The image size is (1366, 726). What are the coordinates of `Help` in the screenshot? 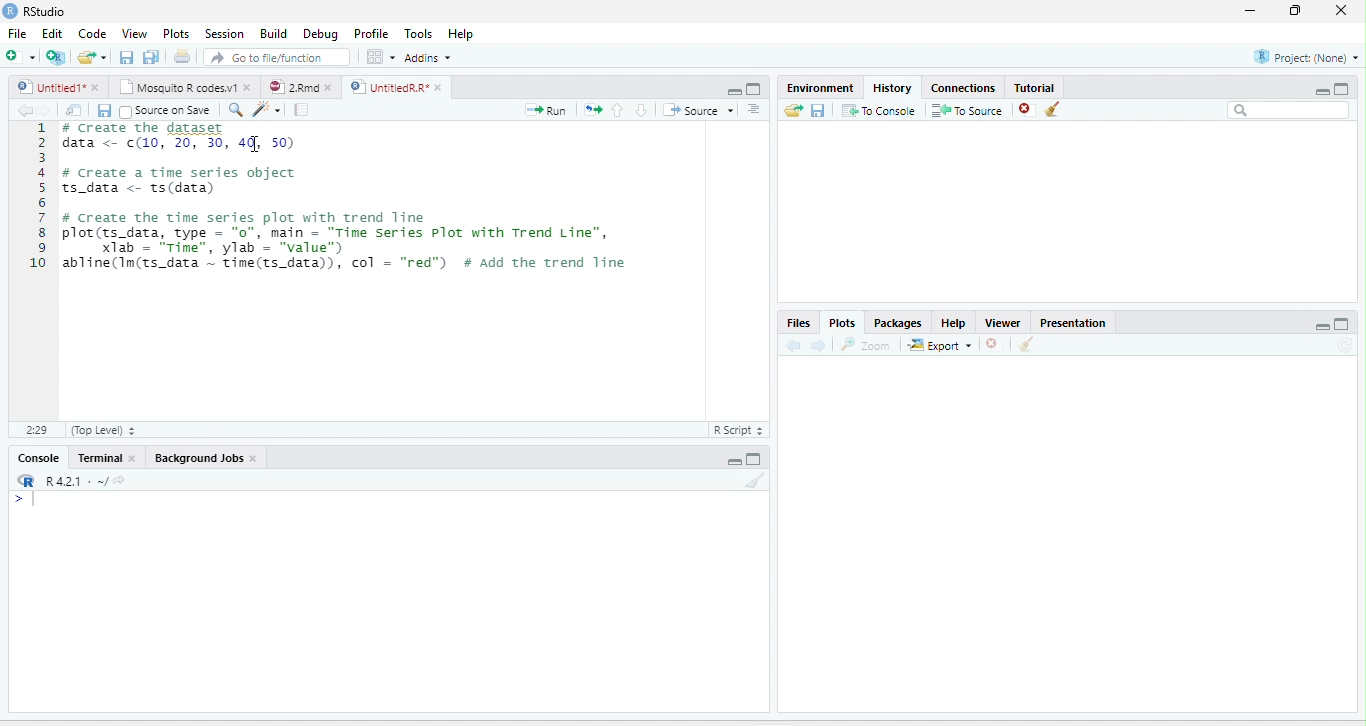 It's located at (460, 33).